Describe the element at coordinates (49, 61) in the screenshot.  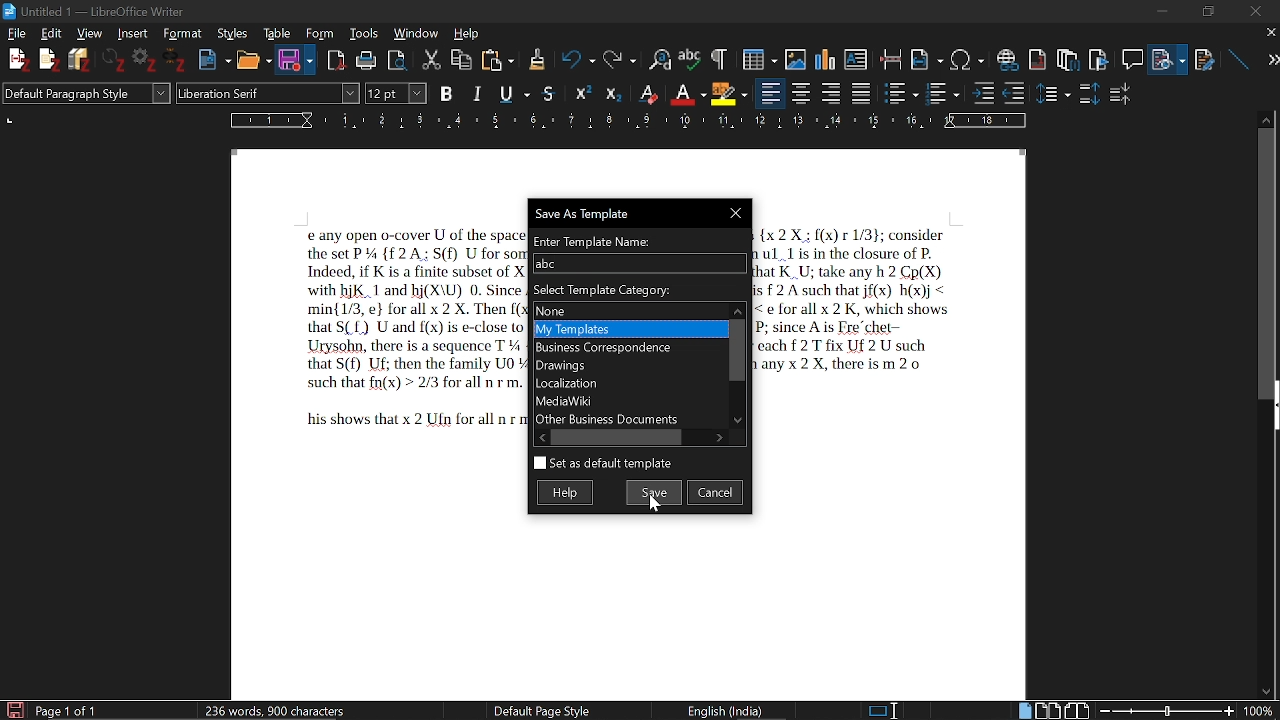
I see `` at that location.